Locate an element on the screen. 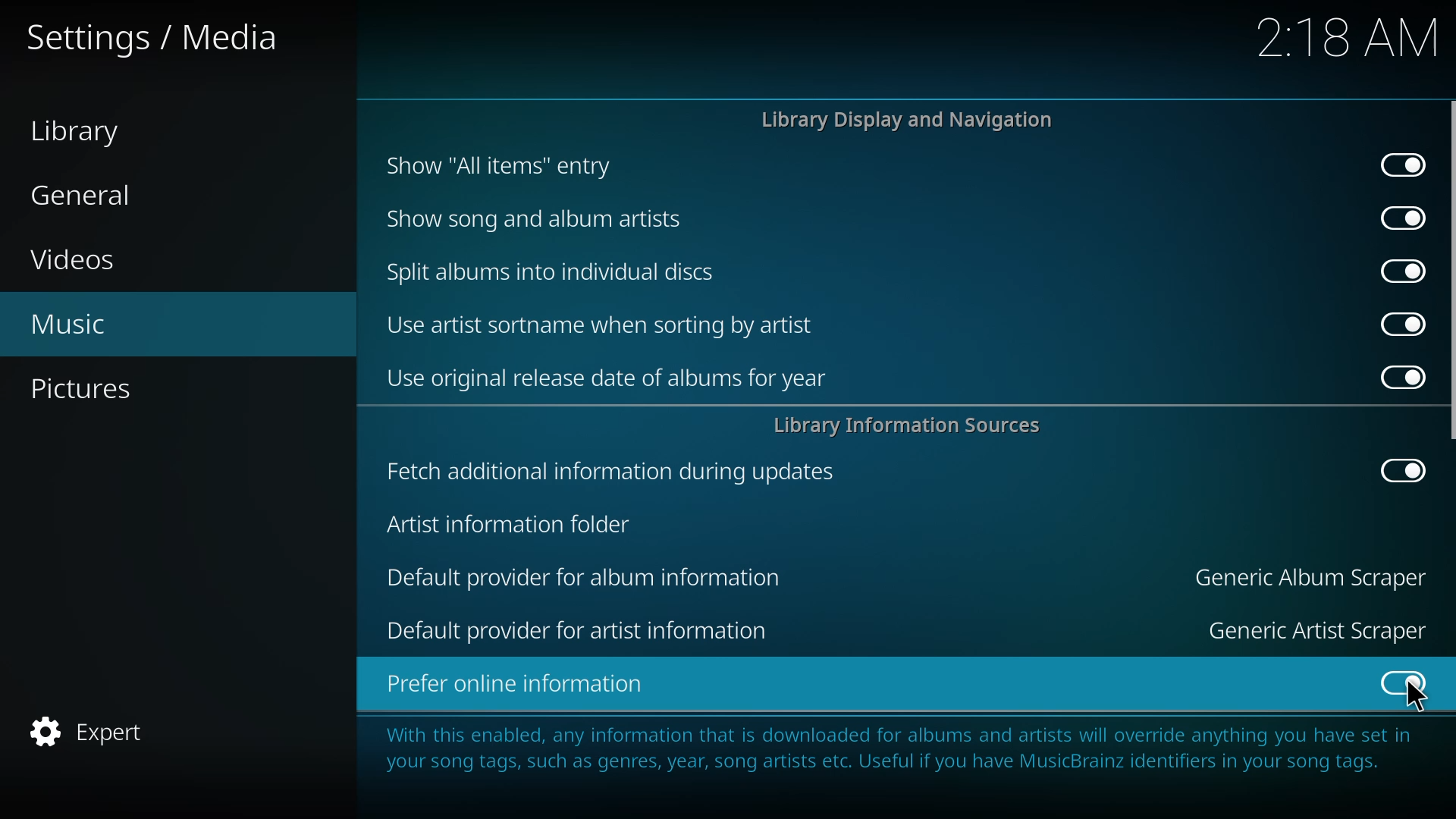  general is located at coordinates (85, 196).